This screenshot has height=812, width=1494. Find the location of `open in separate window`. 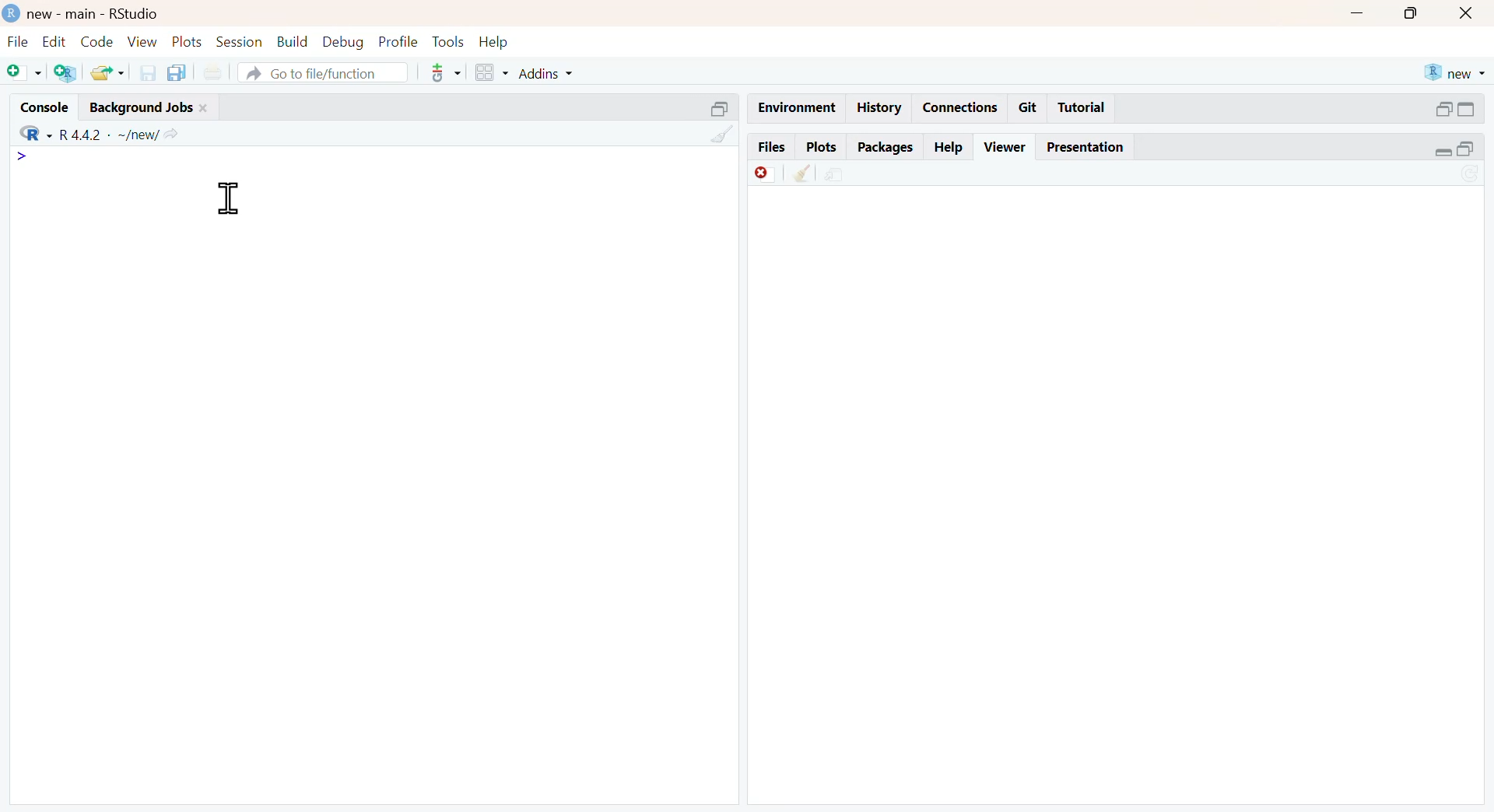

open in separate window is located at coordinates (1444, 110).